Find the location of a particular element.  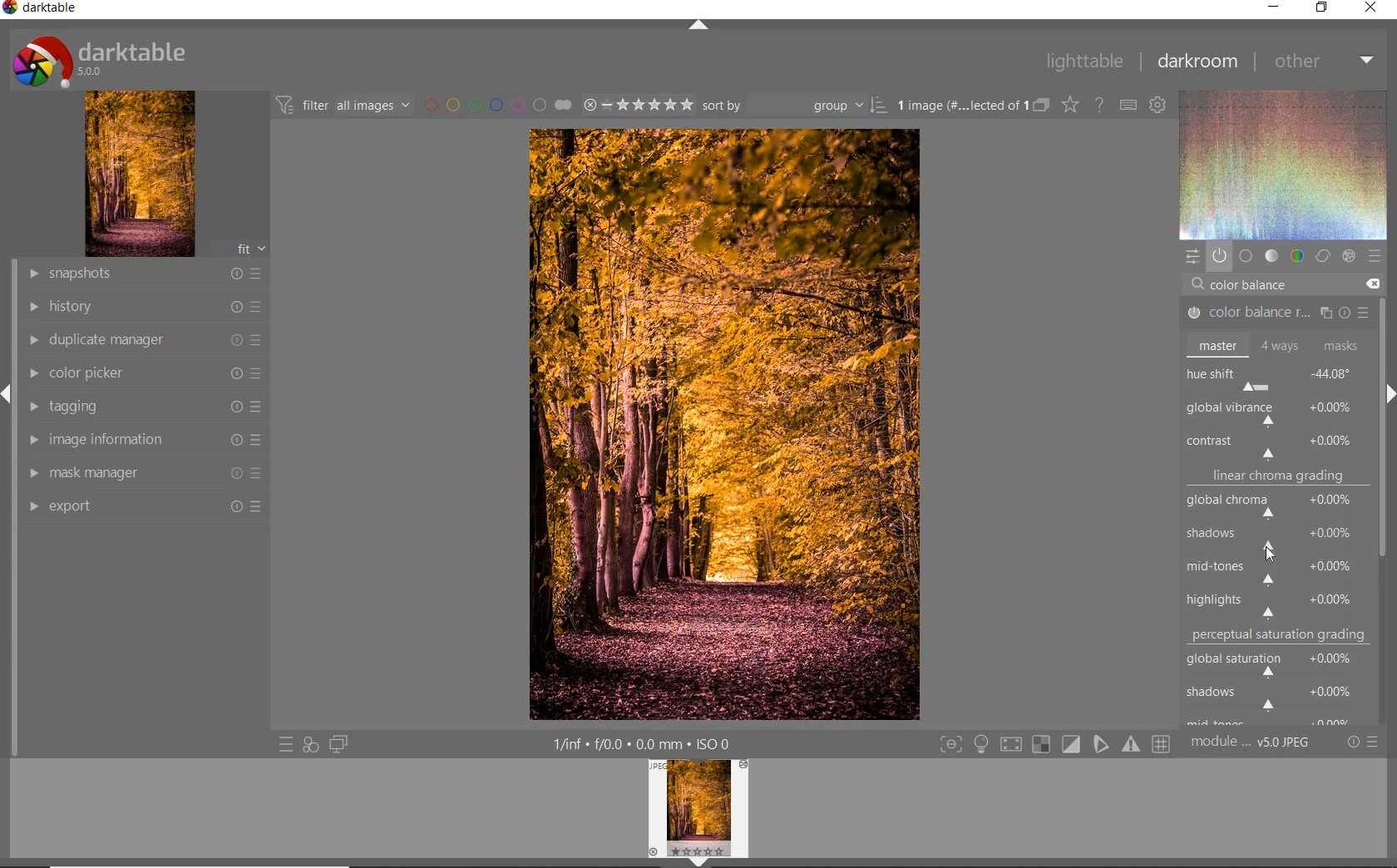

effect is located at coordinates (1349, 254).